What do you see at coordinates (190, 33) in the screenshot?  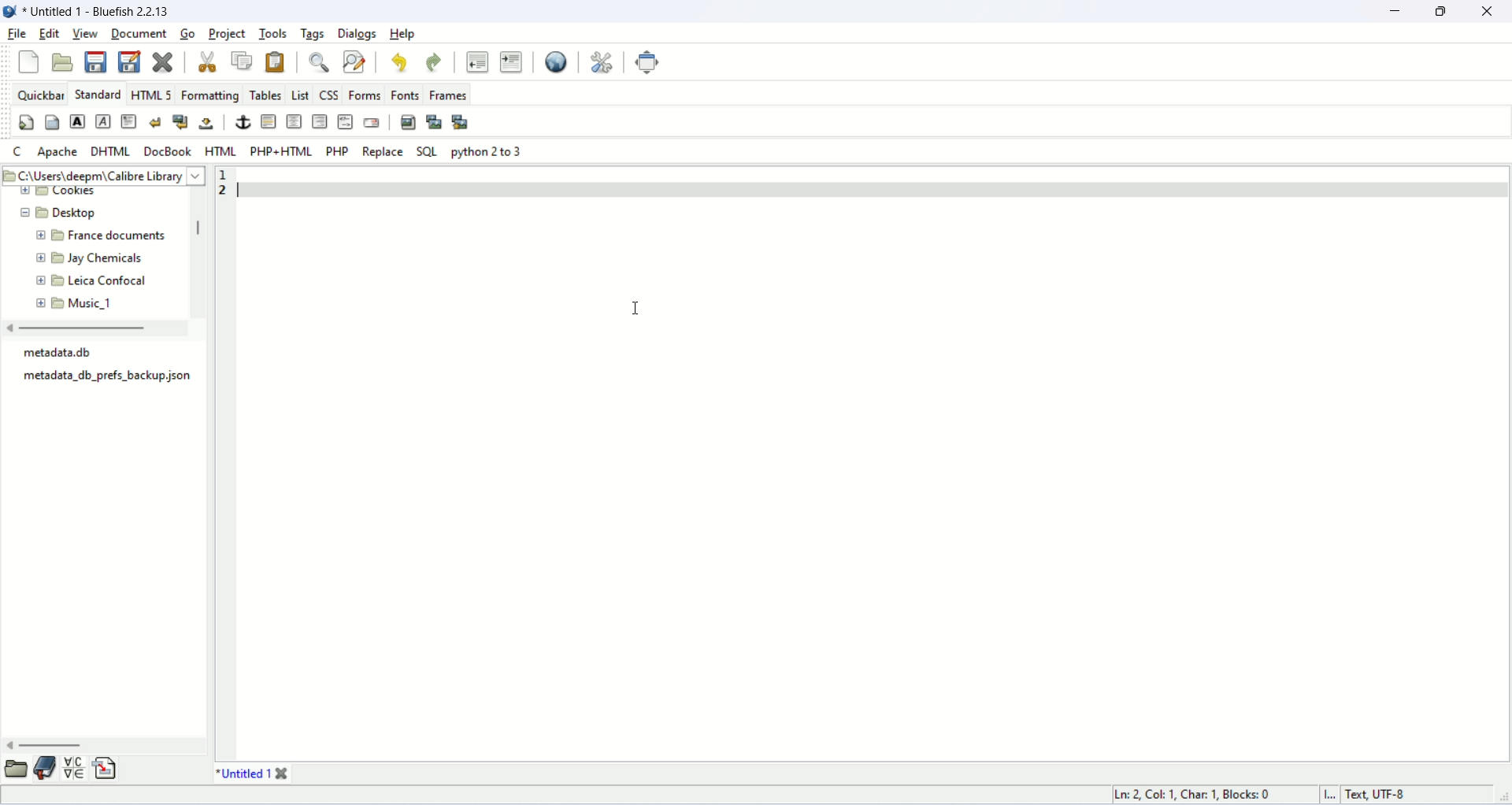 I see `go` at bounding box center [190, 33].